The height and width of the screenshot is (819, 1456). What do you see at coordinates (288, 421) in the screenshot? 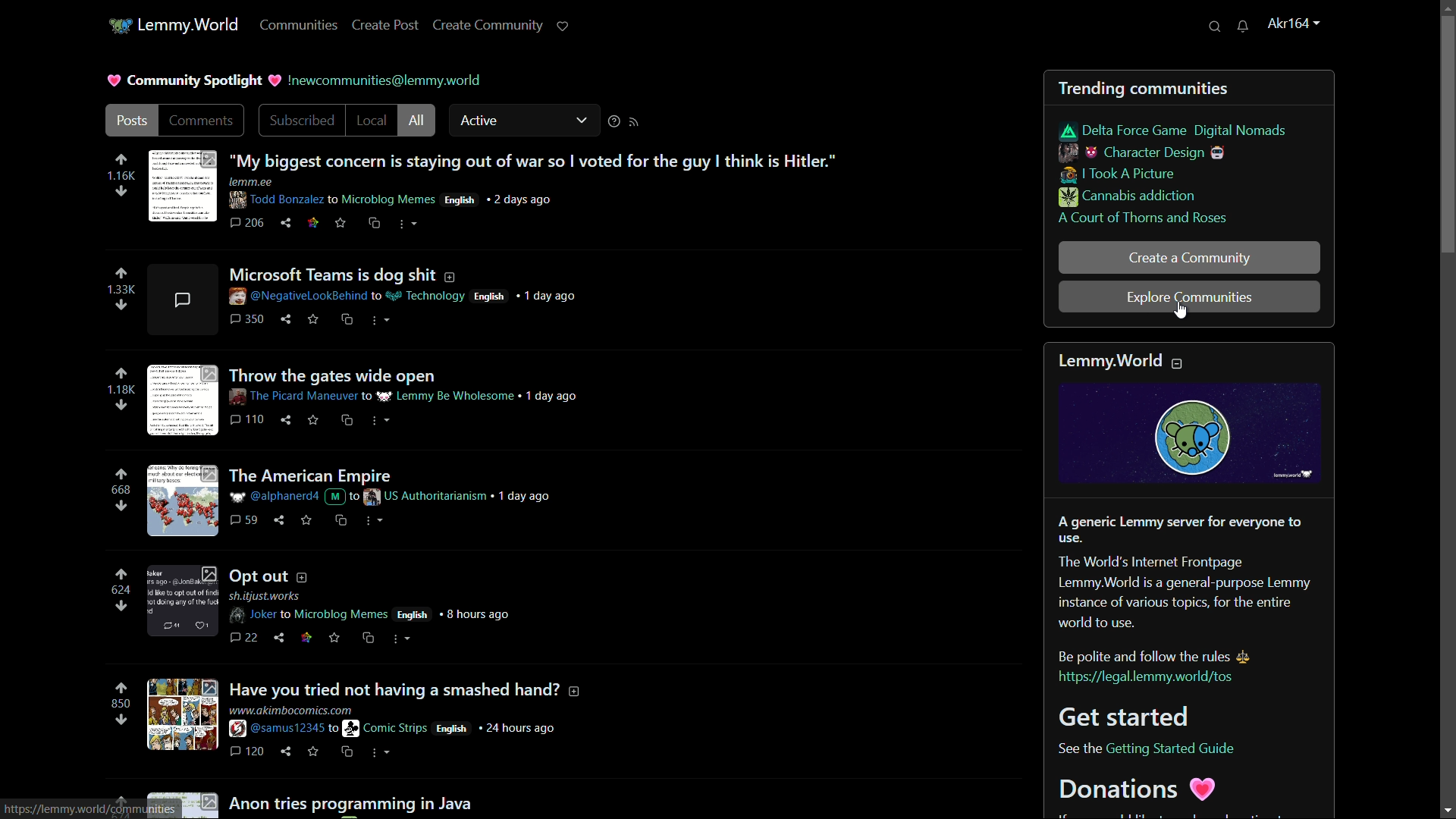
I see `share` at bounding box center [288, 421].